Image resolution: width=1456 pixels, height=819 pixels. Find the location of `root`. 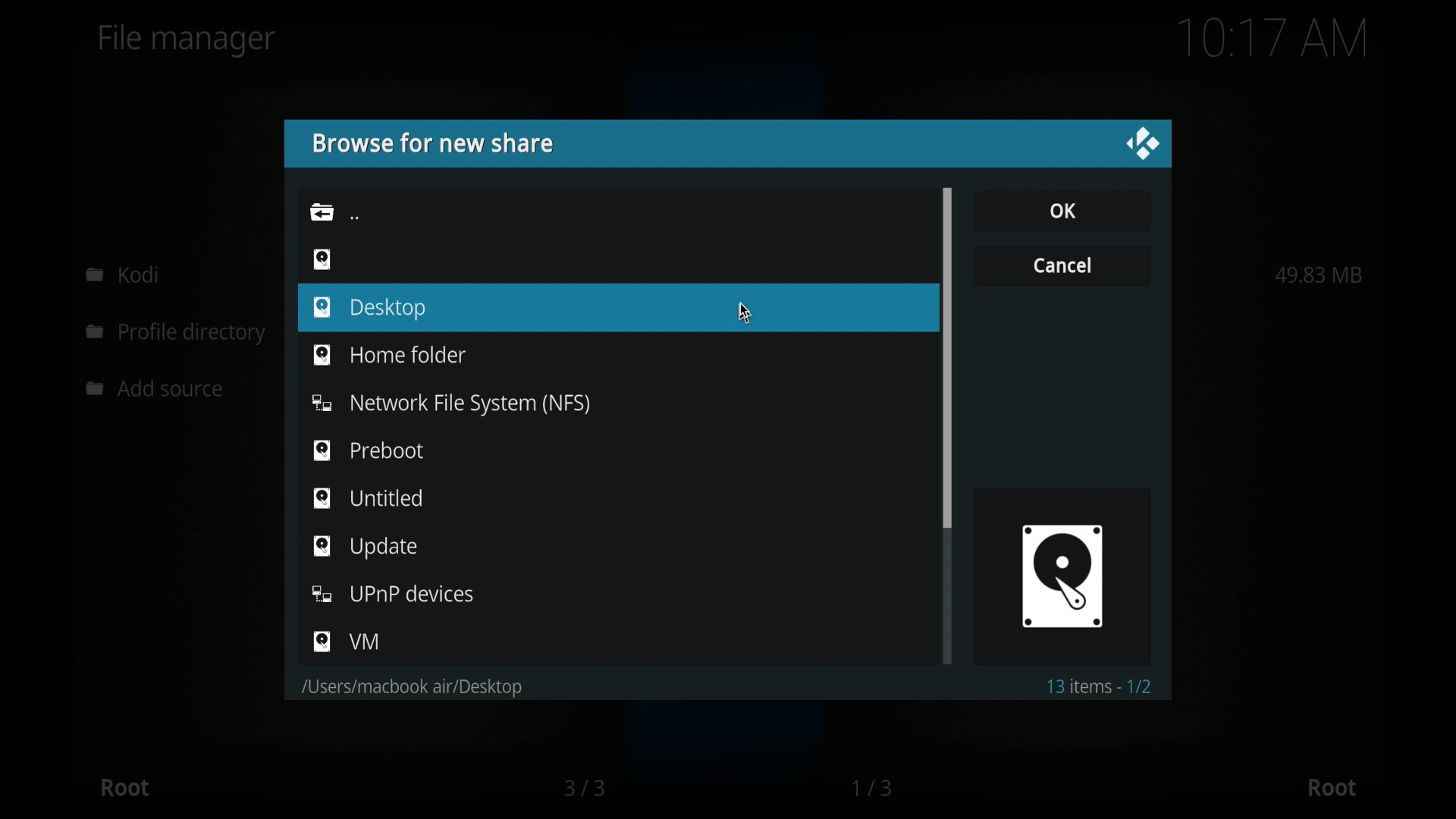

root is located at coordinates (1332, 788).